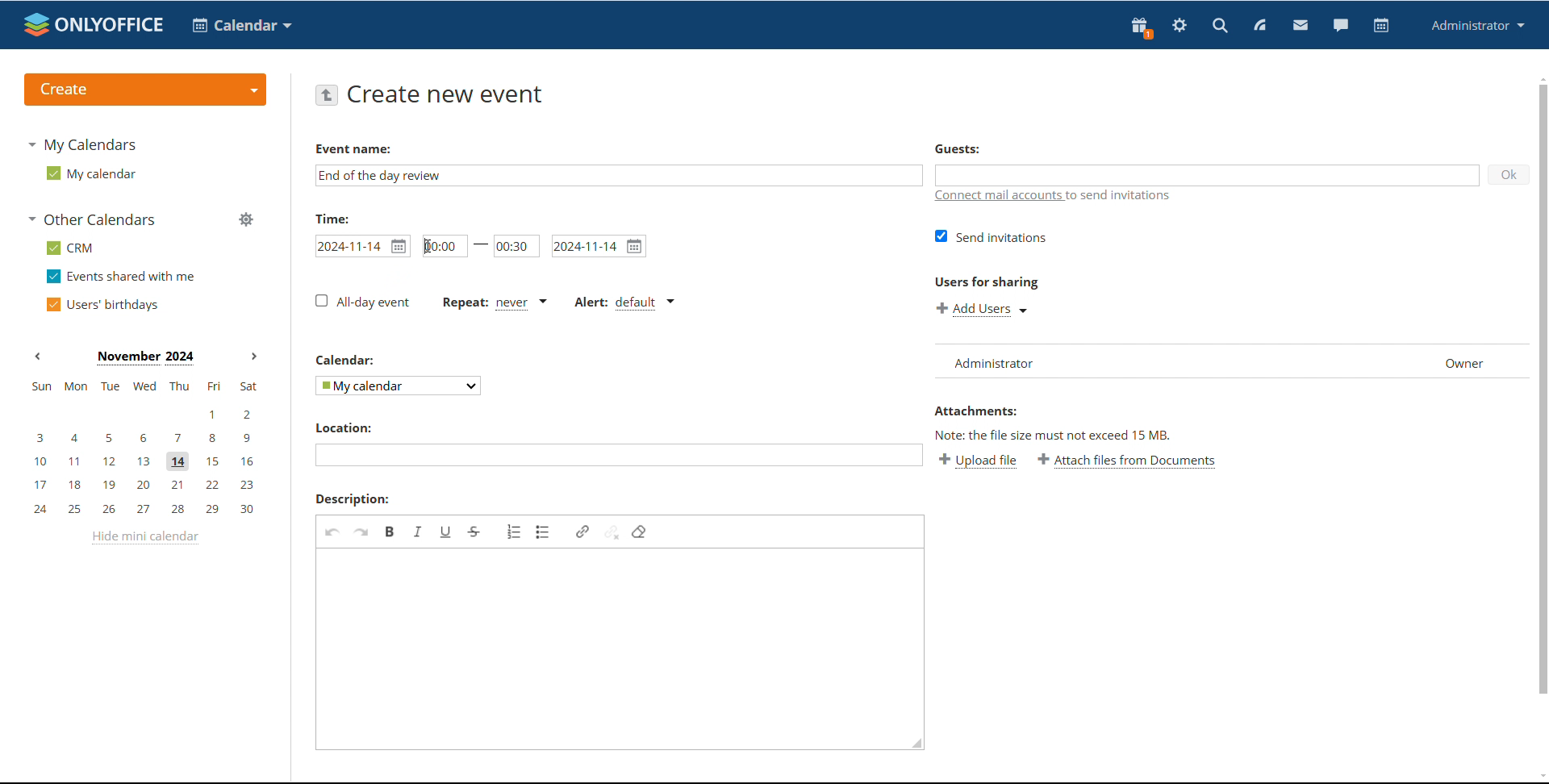  Describe the element at coordinates (353, 149) in the screenshot. I see `Event name` at that location.